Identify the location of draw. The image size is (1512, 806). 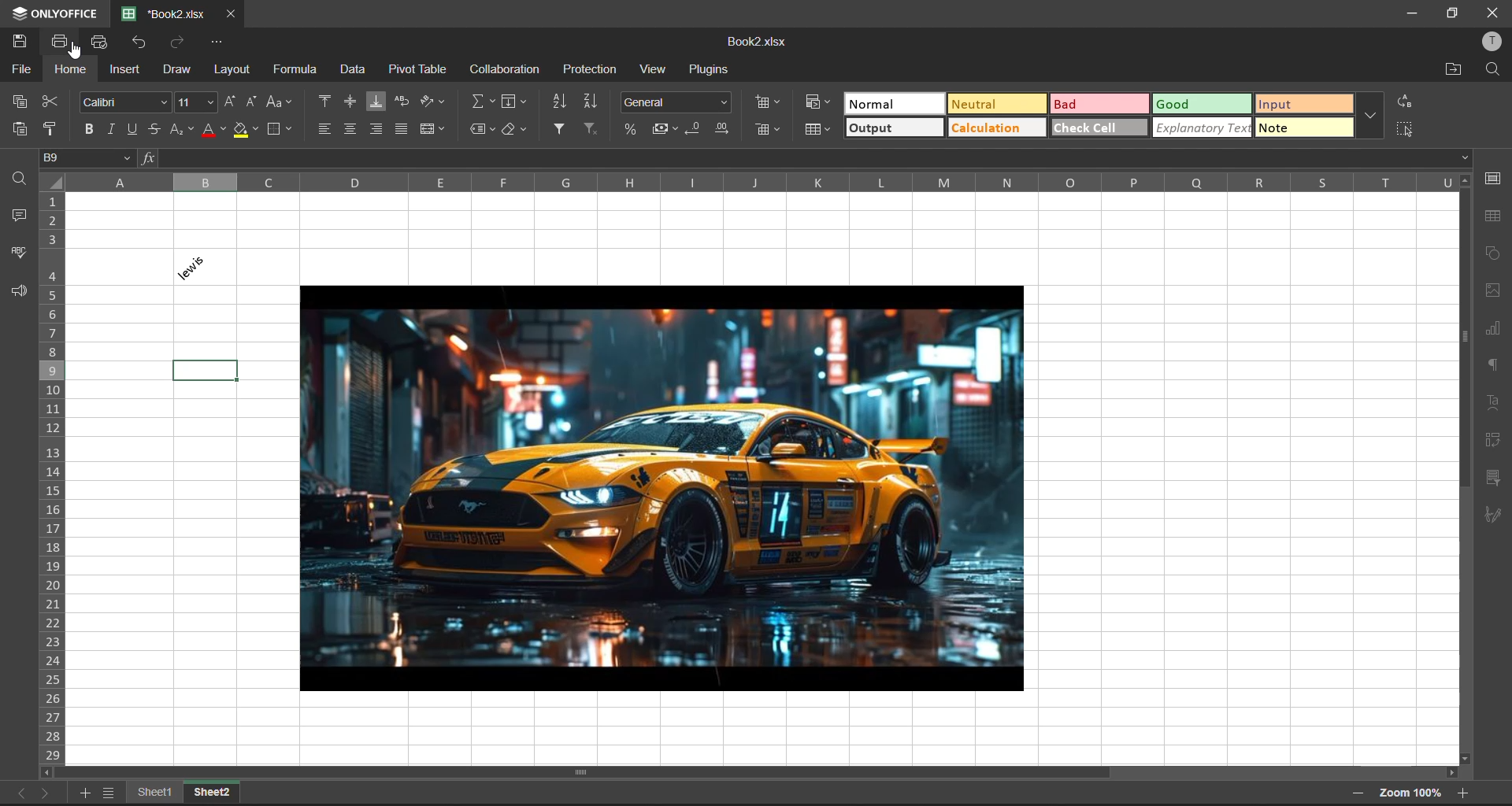
(176, 68).